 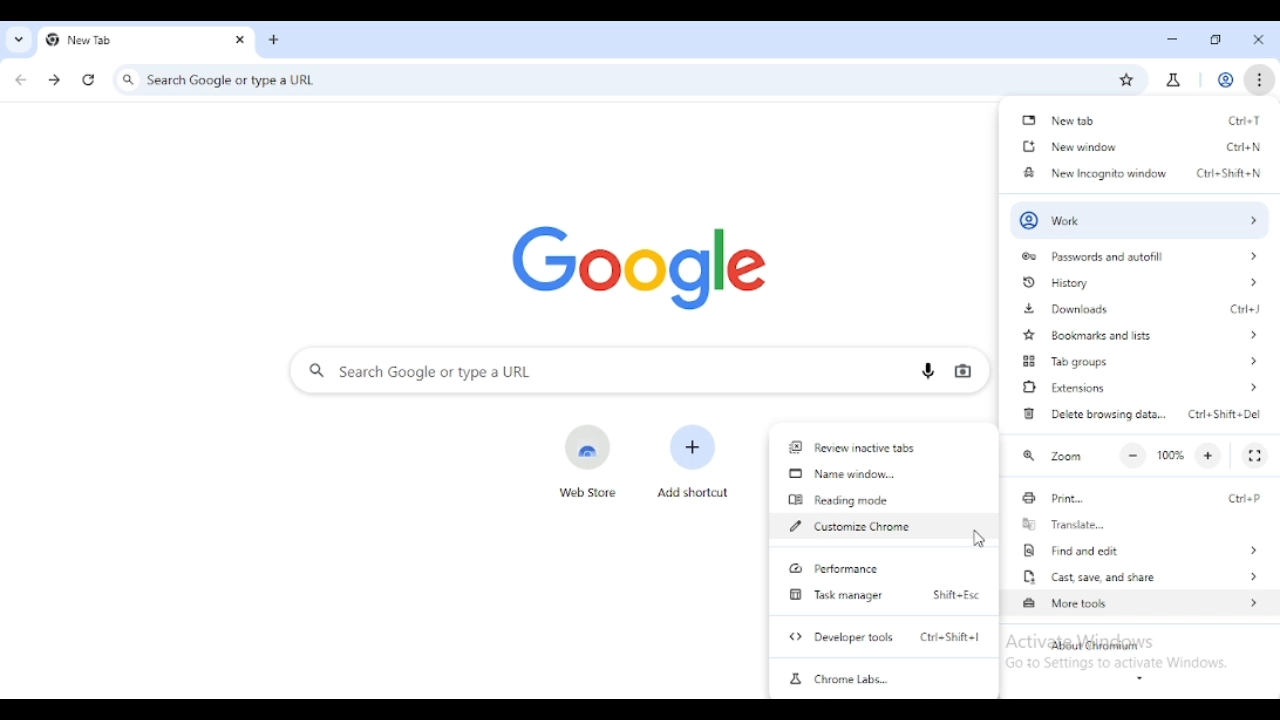 I want to click on shortcut for new incognito window, so click(x=1230, y=172).